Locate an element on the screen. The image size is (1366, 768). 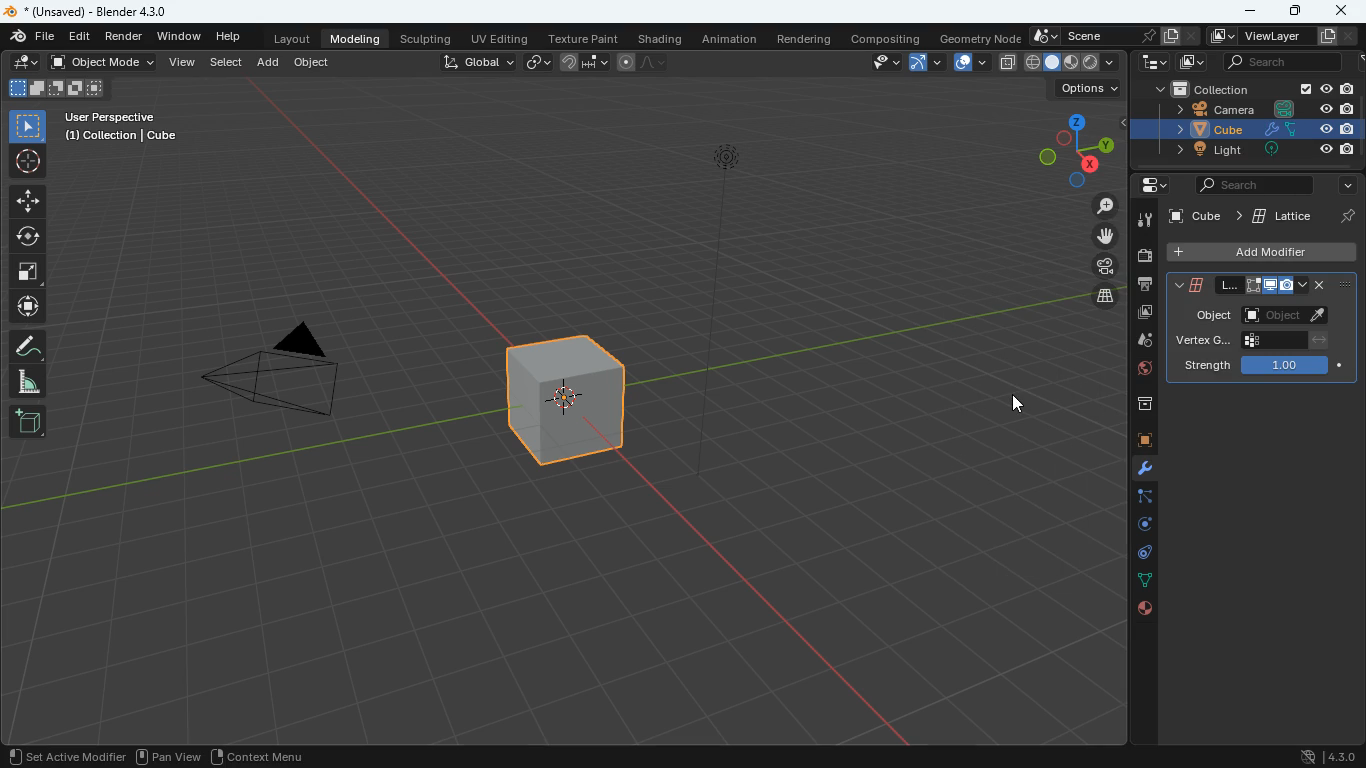
select is located at coordinates (227, 63).